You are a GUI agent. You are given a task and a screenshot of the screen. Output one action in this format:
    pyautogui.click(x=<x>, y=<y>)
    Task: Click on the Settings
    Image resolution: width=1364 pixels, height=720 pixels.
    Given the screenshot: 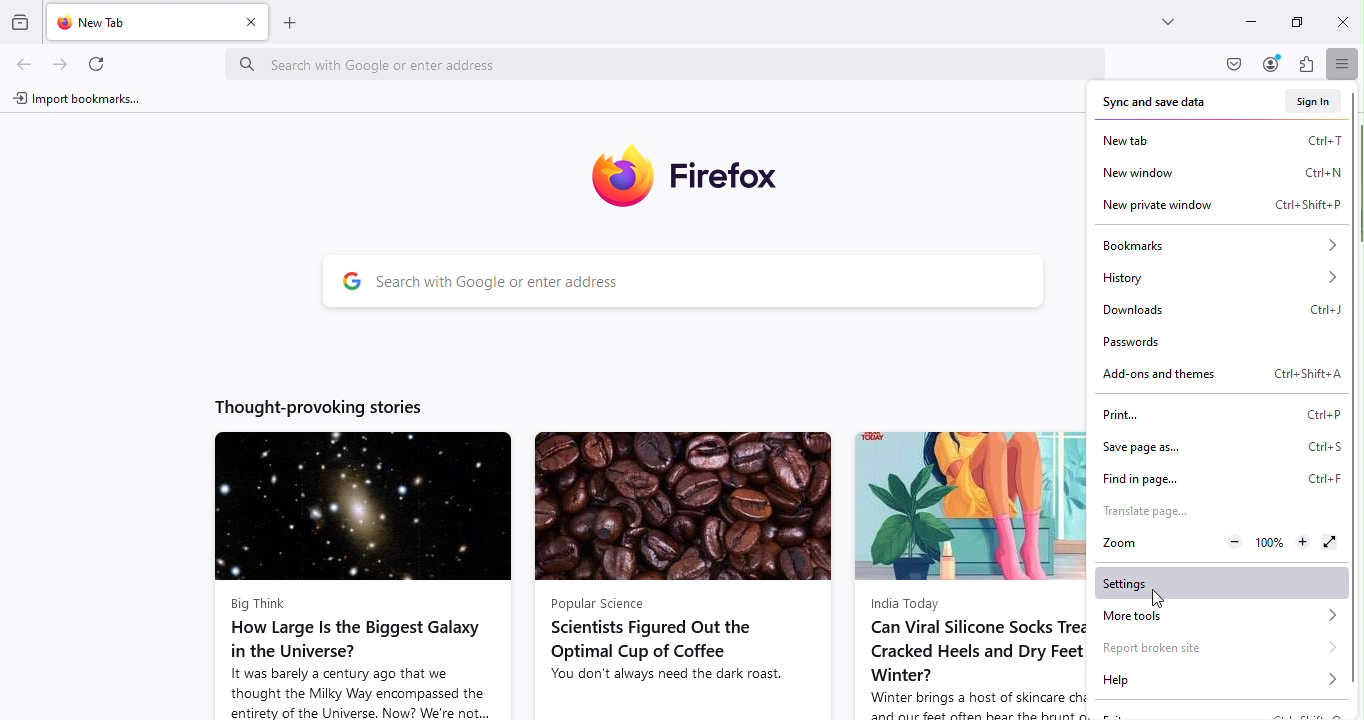 What is the action you would take?
    pyautogui.click(x=1225, y=584)
    